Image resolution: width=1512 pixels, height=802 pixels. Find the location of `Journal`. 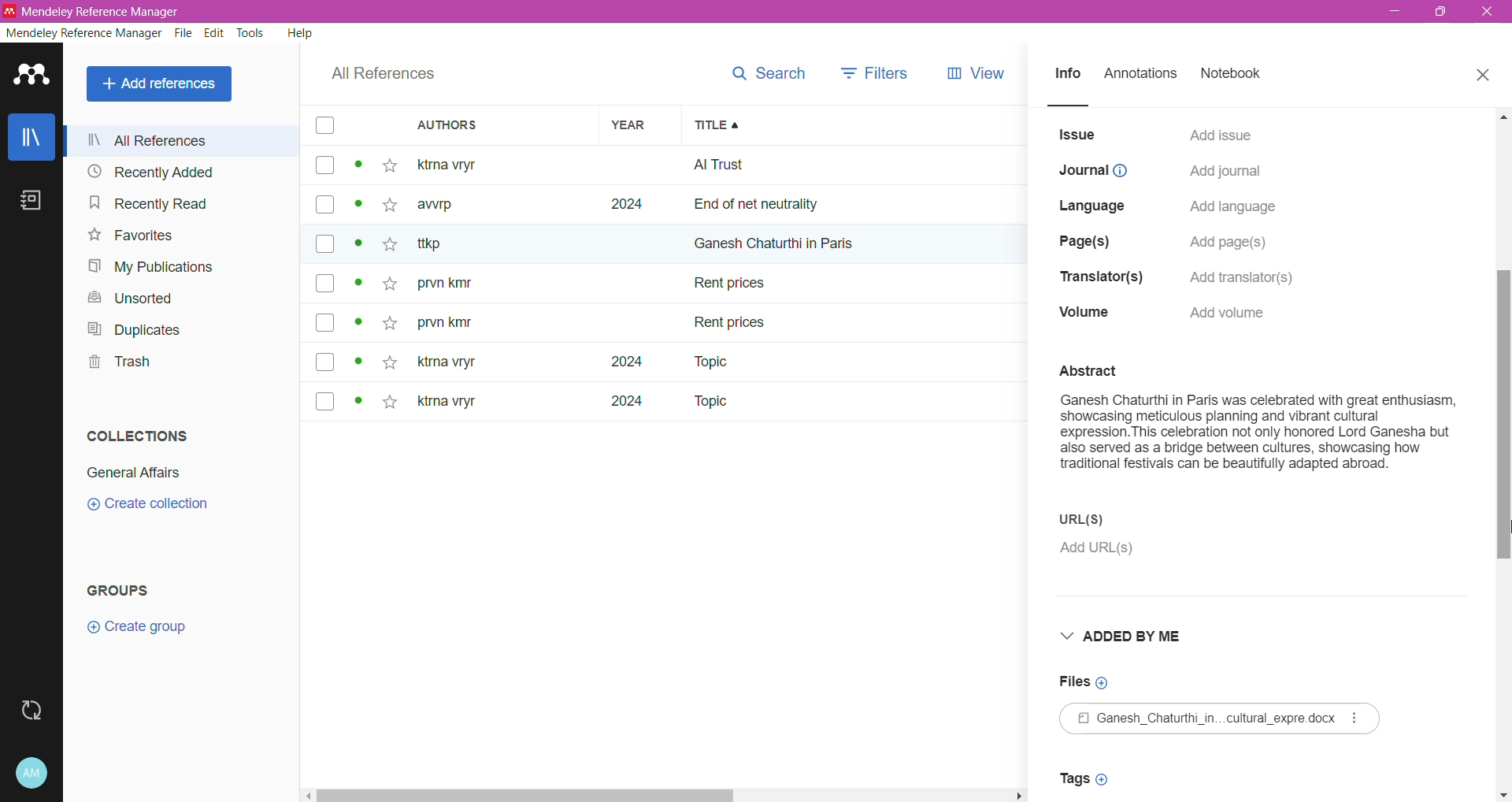

Journal is located at coordinates (1094, 171).